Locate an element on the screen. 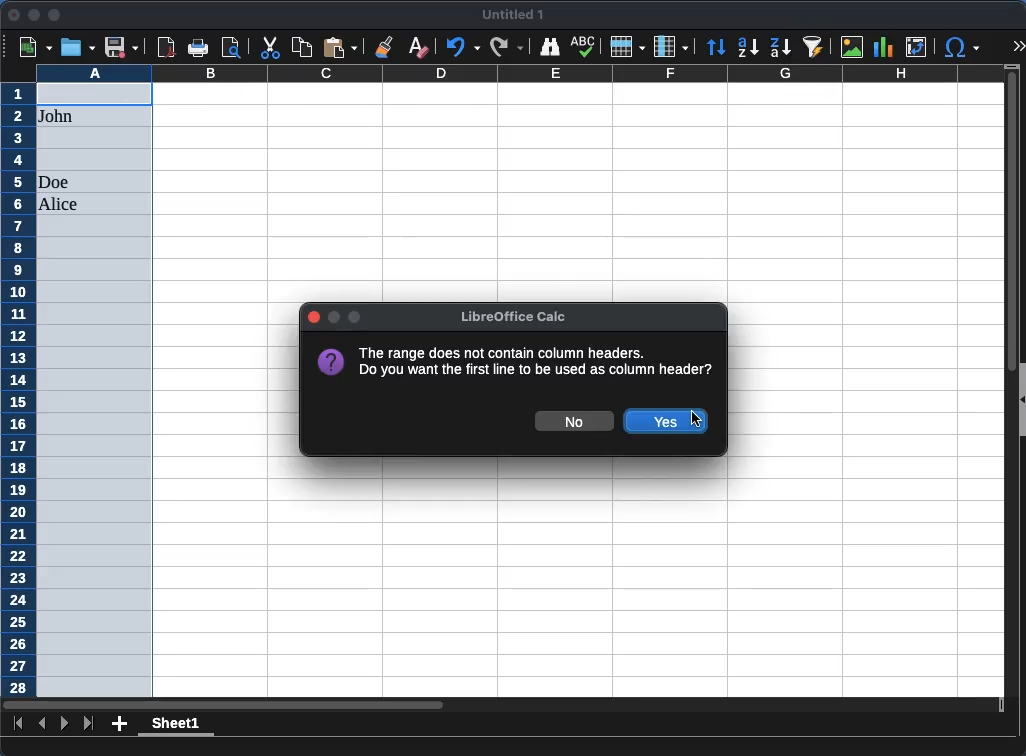  image is located at coordinates (852, 46).